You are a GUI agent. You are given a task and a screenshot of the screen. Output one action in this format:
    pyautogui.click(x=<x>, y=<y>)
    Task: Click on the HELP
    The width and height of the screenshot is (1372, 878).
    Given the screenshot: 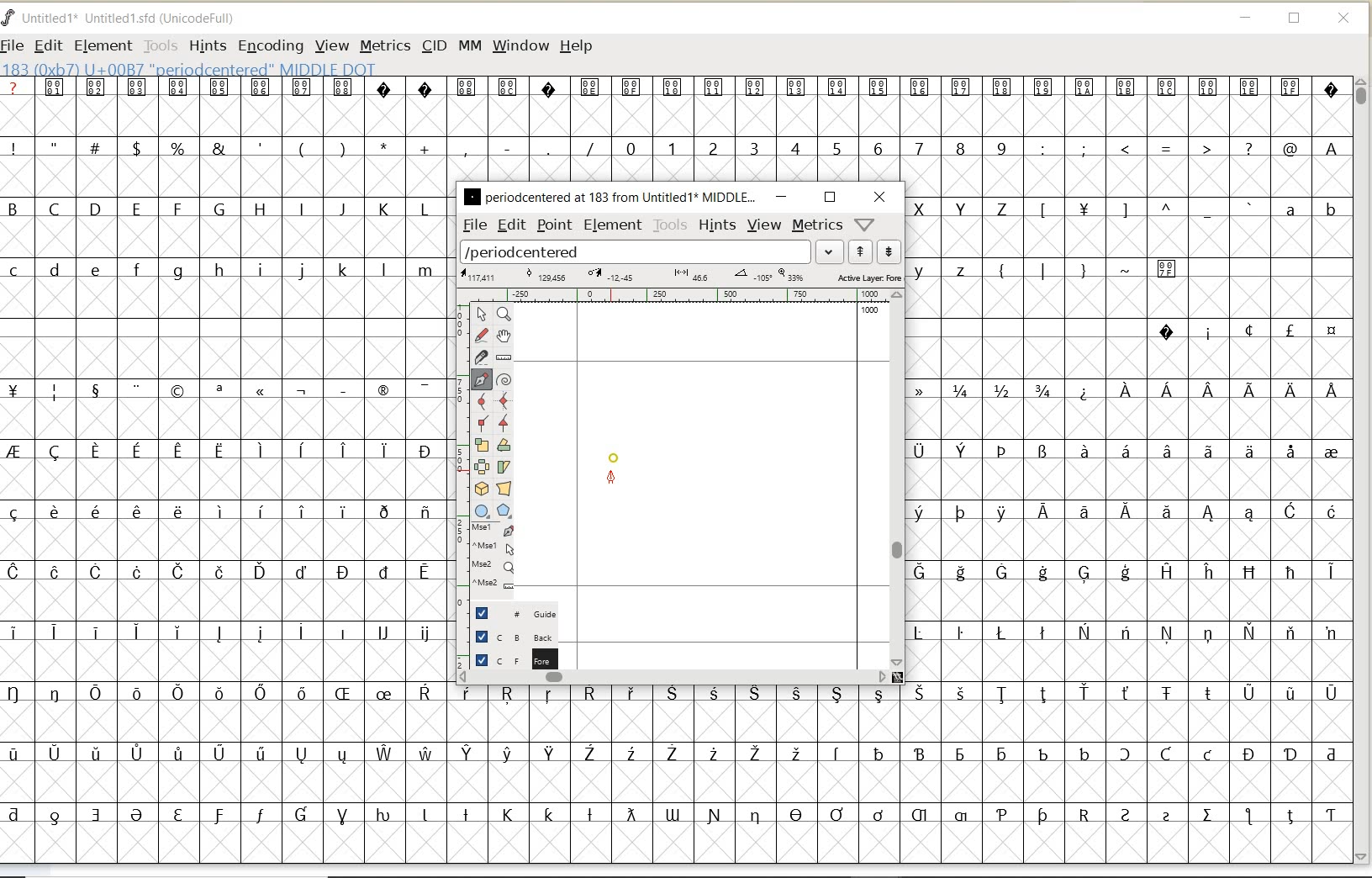 What is the action you would take?
    pyautogui.click(x=576, y=45)
    